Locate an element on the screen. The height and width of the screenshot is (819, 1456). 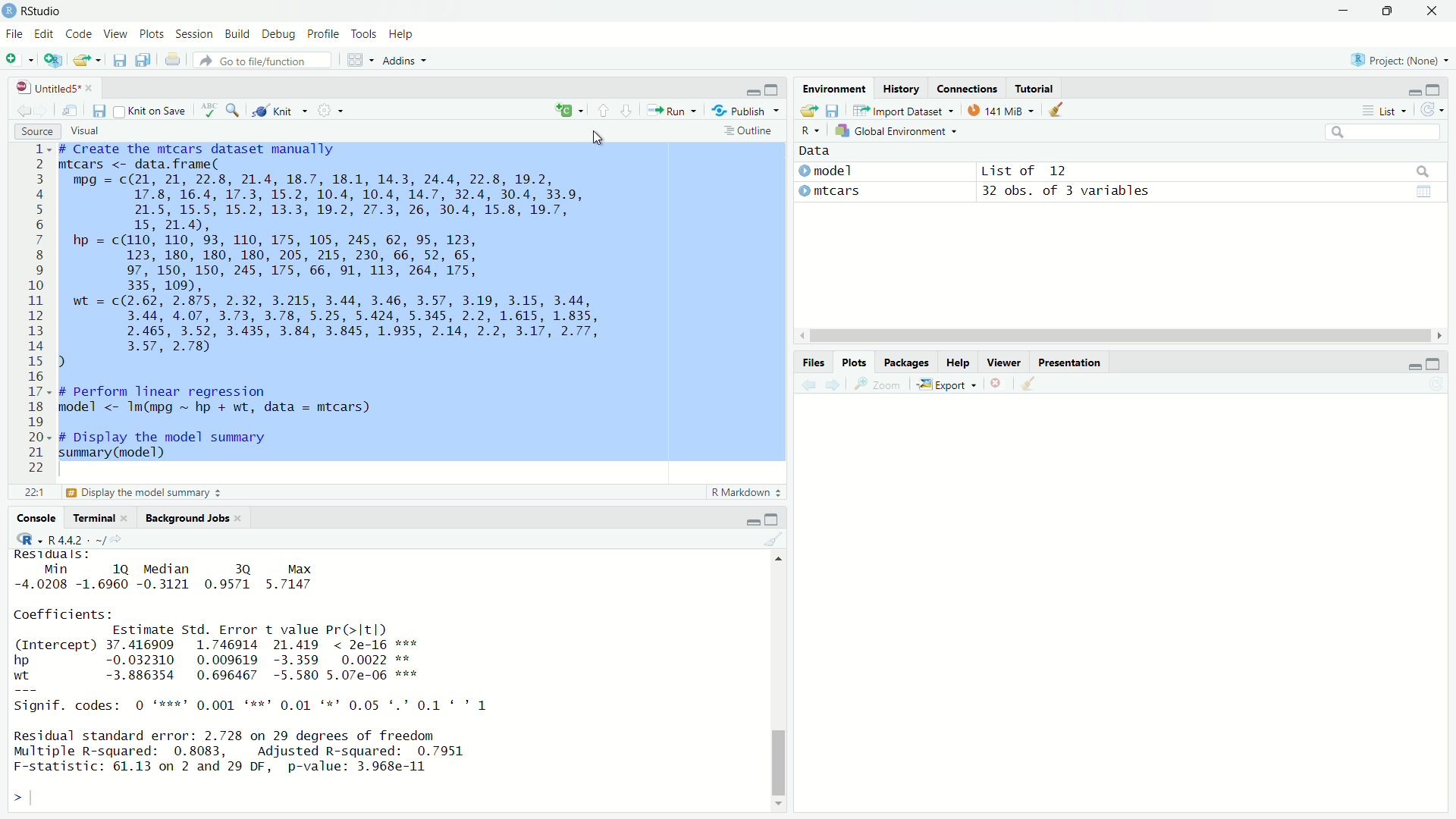
list is located at coordinates (1389, 111).